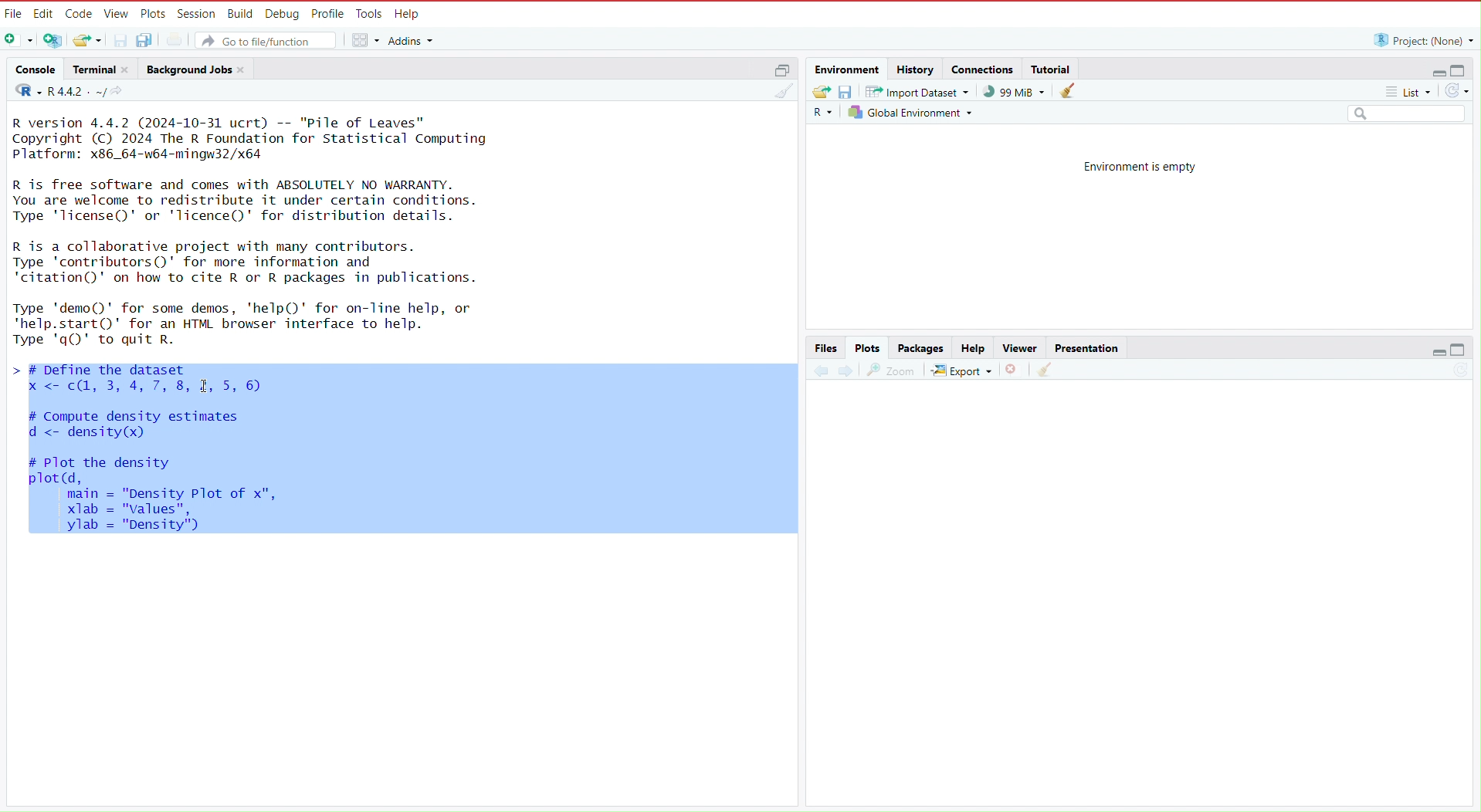  Describe the element at coordinates (253, 137) in the screenshot. I see `R version 4.4.2 (2024-10-31 ucrt) -- "Pile of Leaves"
Copyright (C) 2024 The R Foundation for Statistical Computing
Platform: x86_64-w64-mingw32/x64` at that location.